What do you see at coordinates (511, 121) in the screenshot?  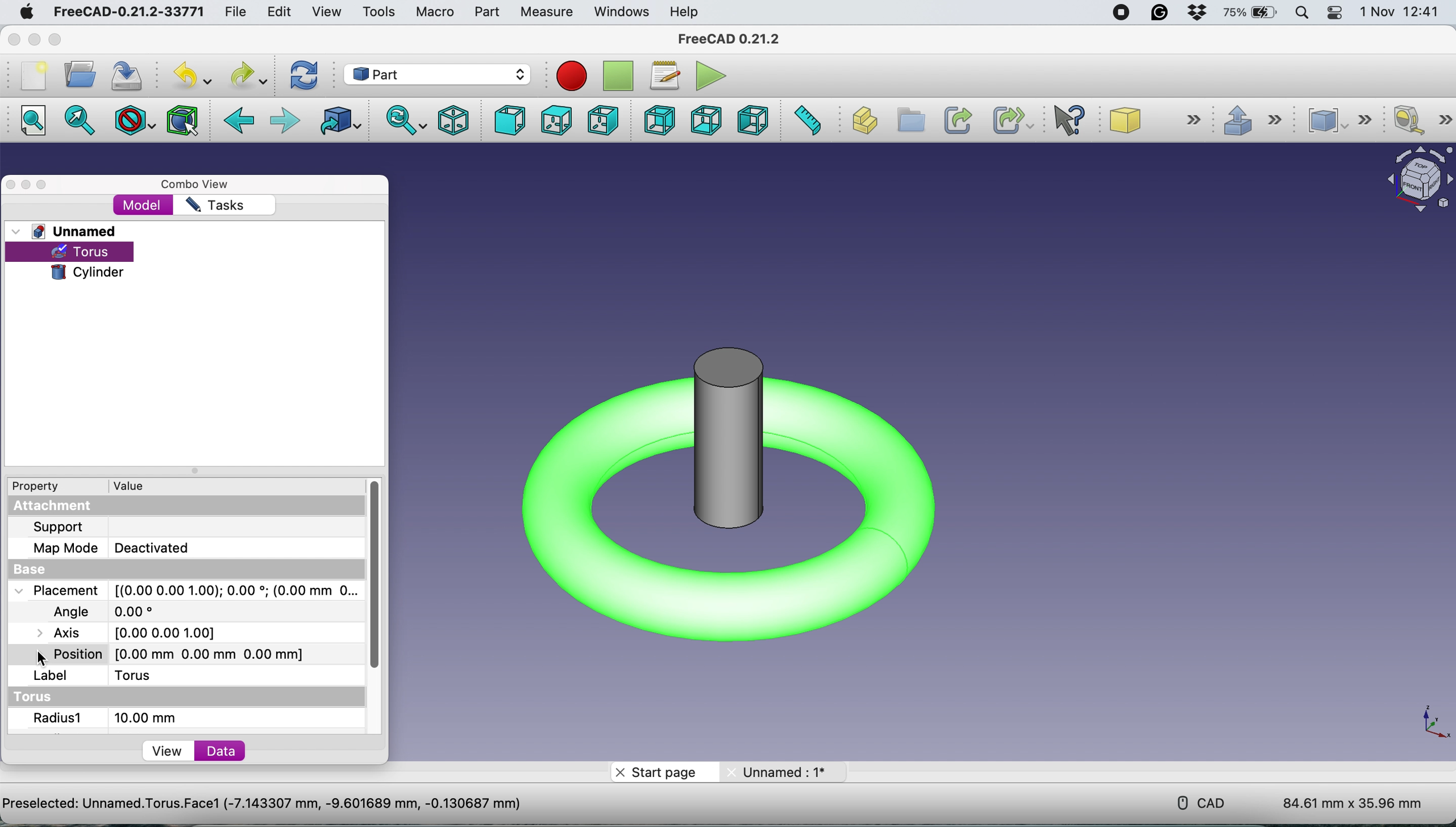 I see `front` at bounding box center [511, 121].